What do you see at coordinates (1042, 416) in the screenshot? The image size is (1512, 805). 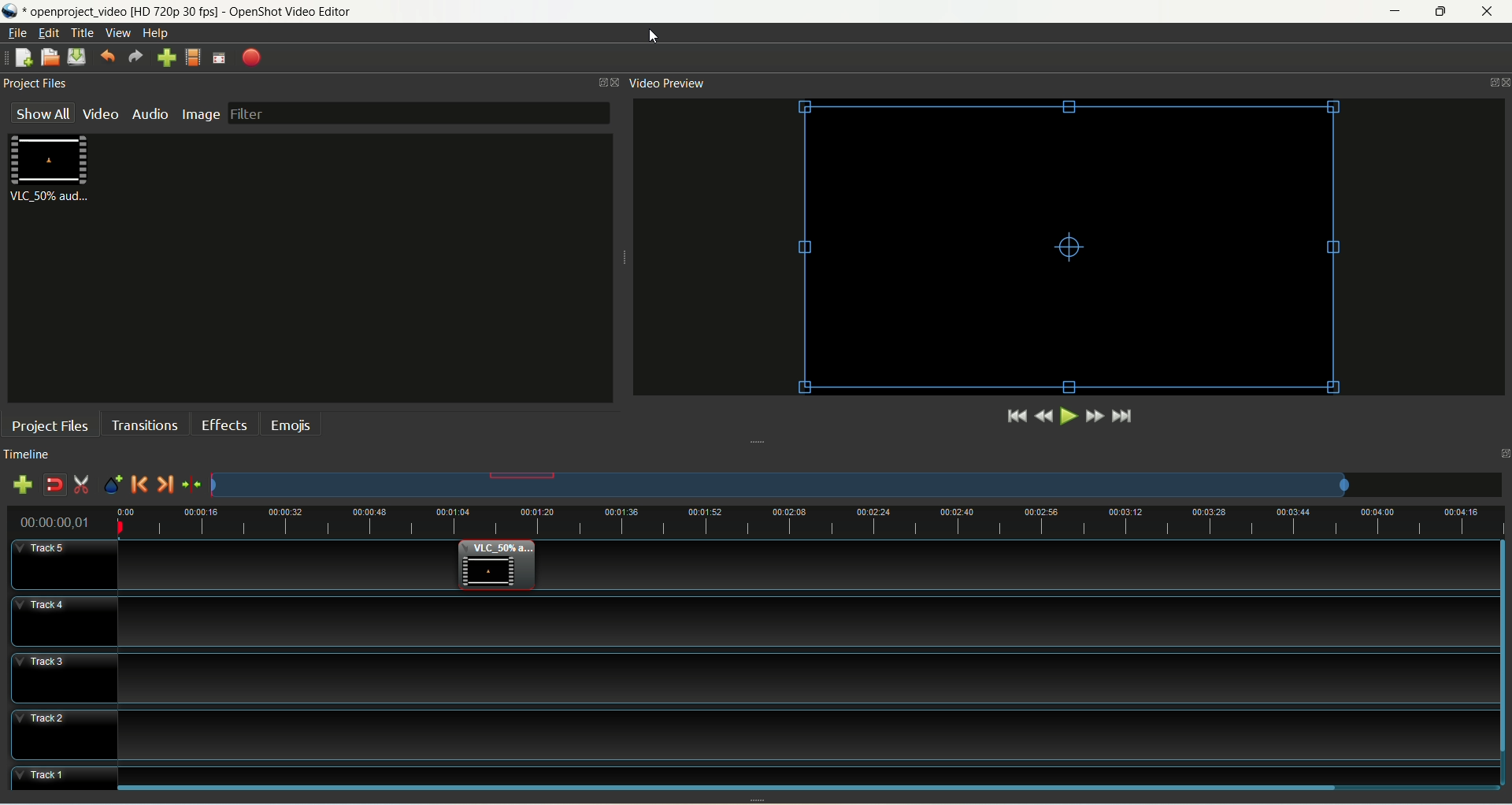 I see `rewind` at bounding box center [1042, 416].